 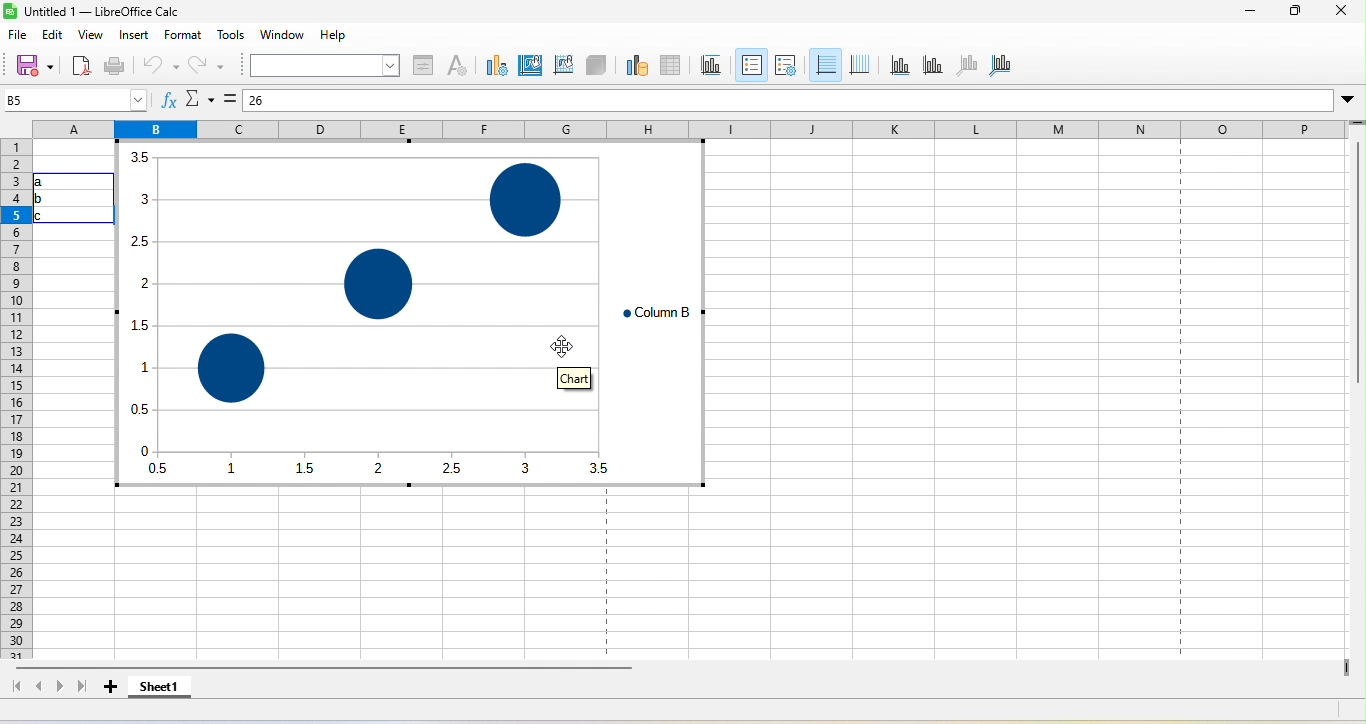 What do you see at coordinates (494, 64) in the screenshot?
I see `change chart type` at bounding box center [494, 64].